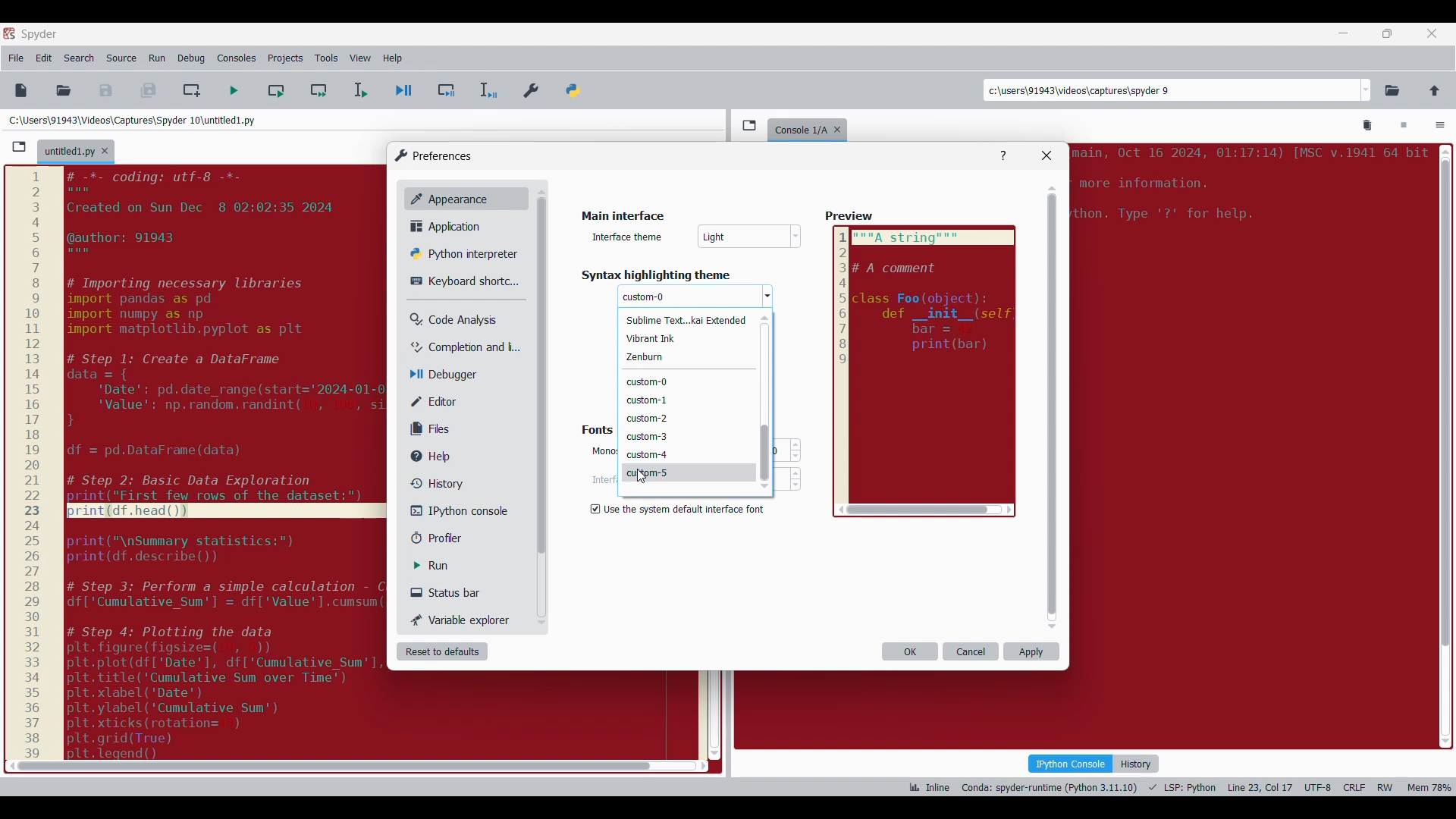 This screenshot has height=819, width=1456. Describe the element at coordinates (360, 58) in the screenshot. I see `View menu` at that location.